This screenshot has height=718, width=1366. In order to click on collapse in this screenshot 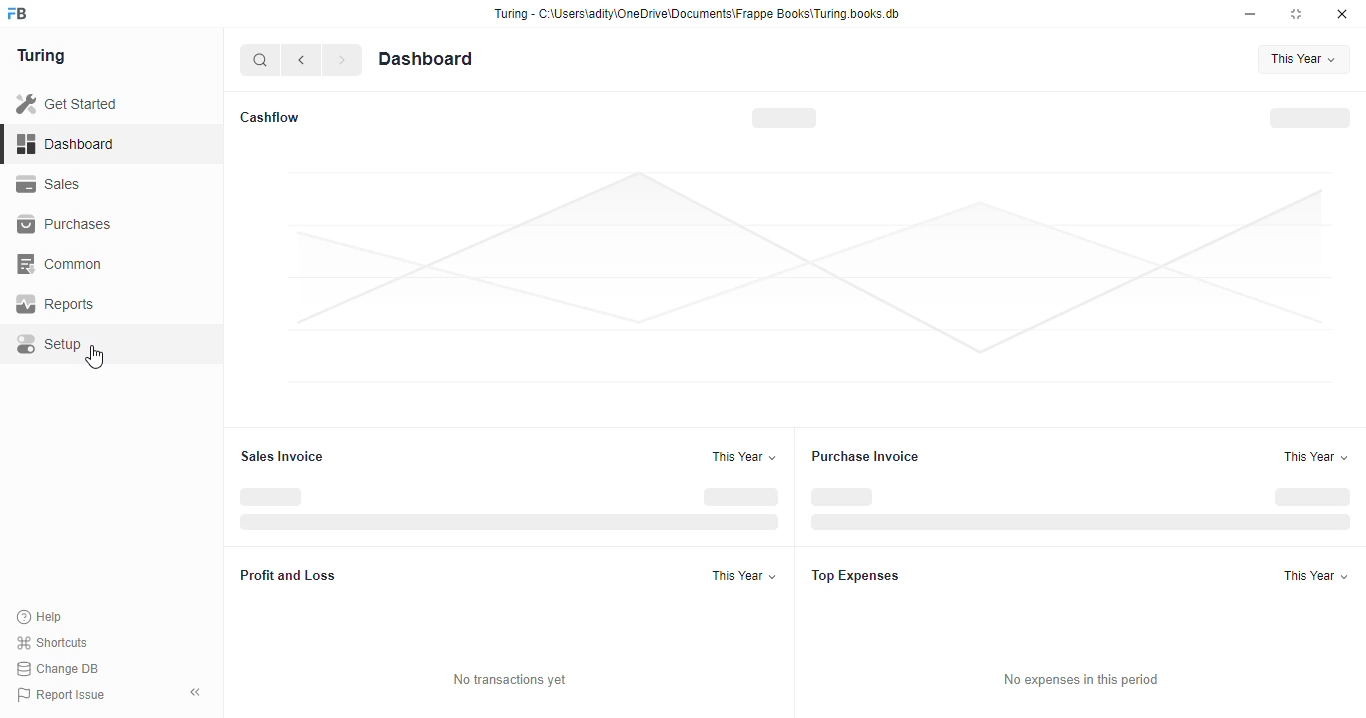, I will do `click(197, 689)`.